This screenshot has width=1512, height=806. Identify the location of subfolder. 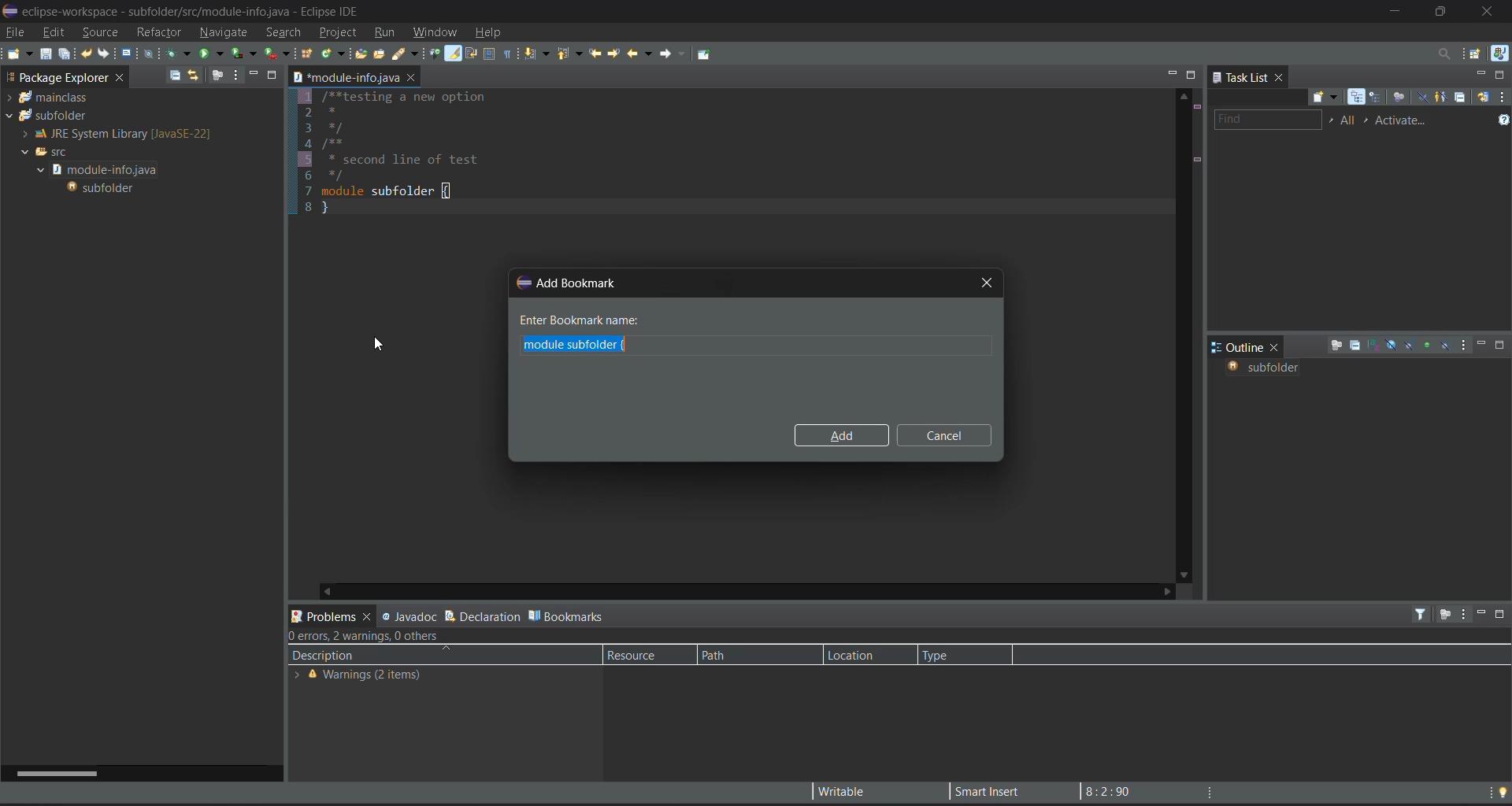
(46, 116).